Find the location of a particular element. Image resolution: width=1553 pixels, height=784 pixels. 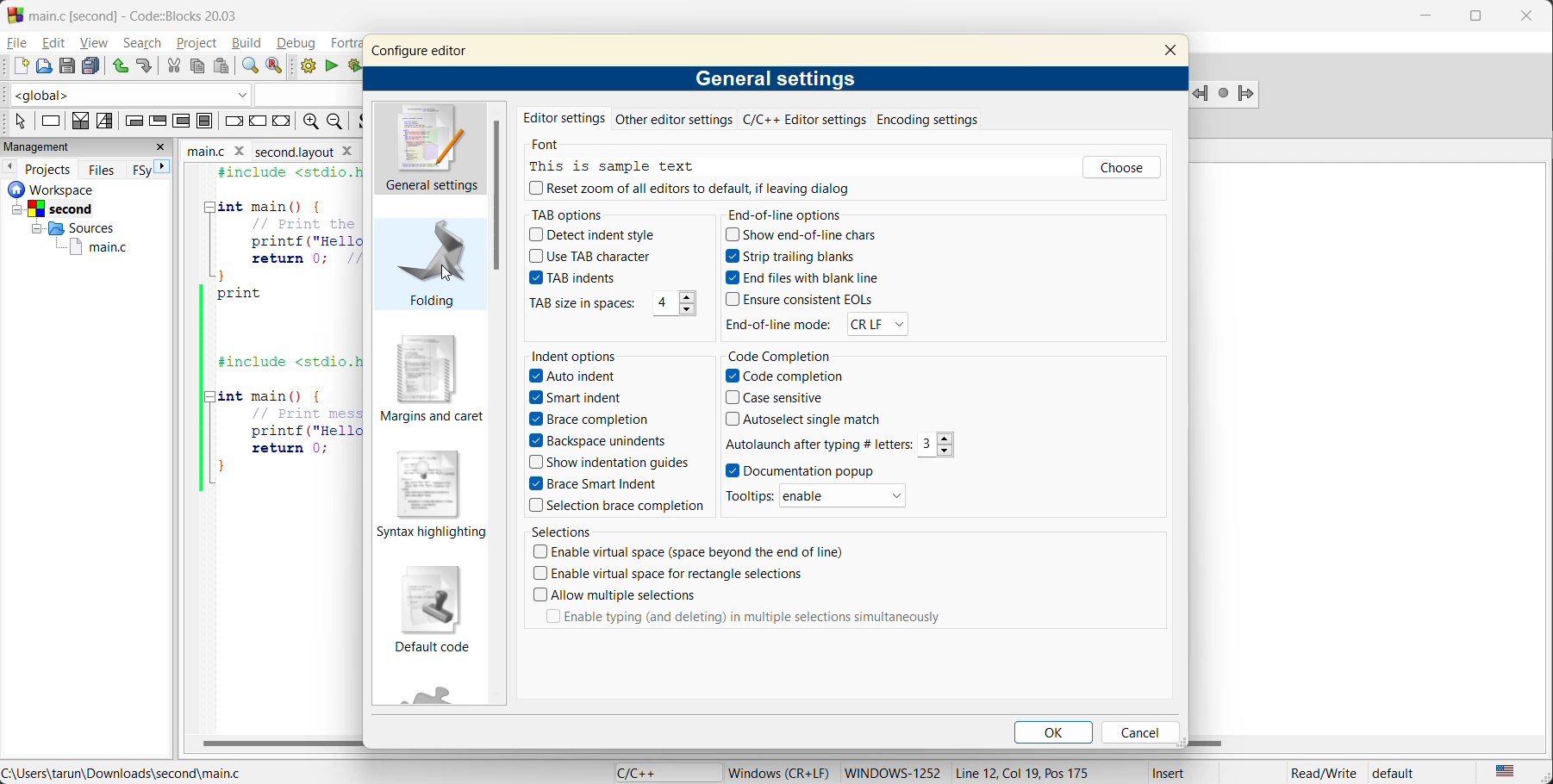

last jump is located at coordinates (1222, 90).